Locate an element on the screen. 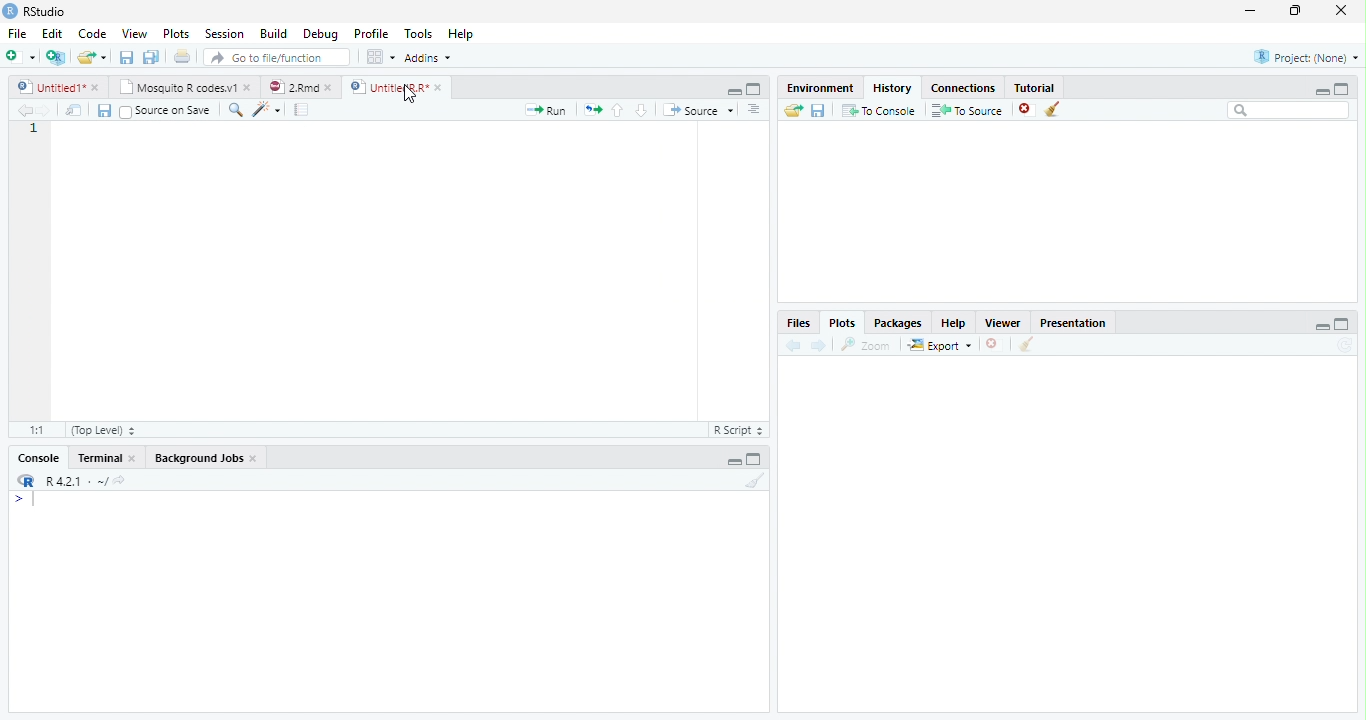 This screenshot has width=1366, height=720. Open an existing file is located at coordinates (85, 57).